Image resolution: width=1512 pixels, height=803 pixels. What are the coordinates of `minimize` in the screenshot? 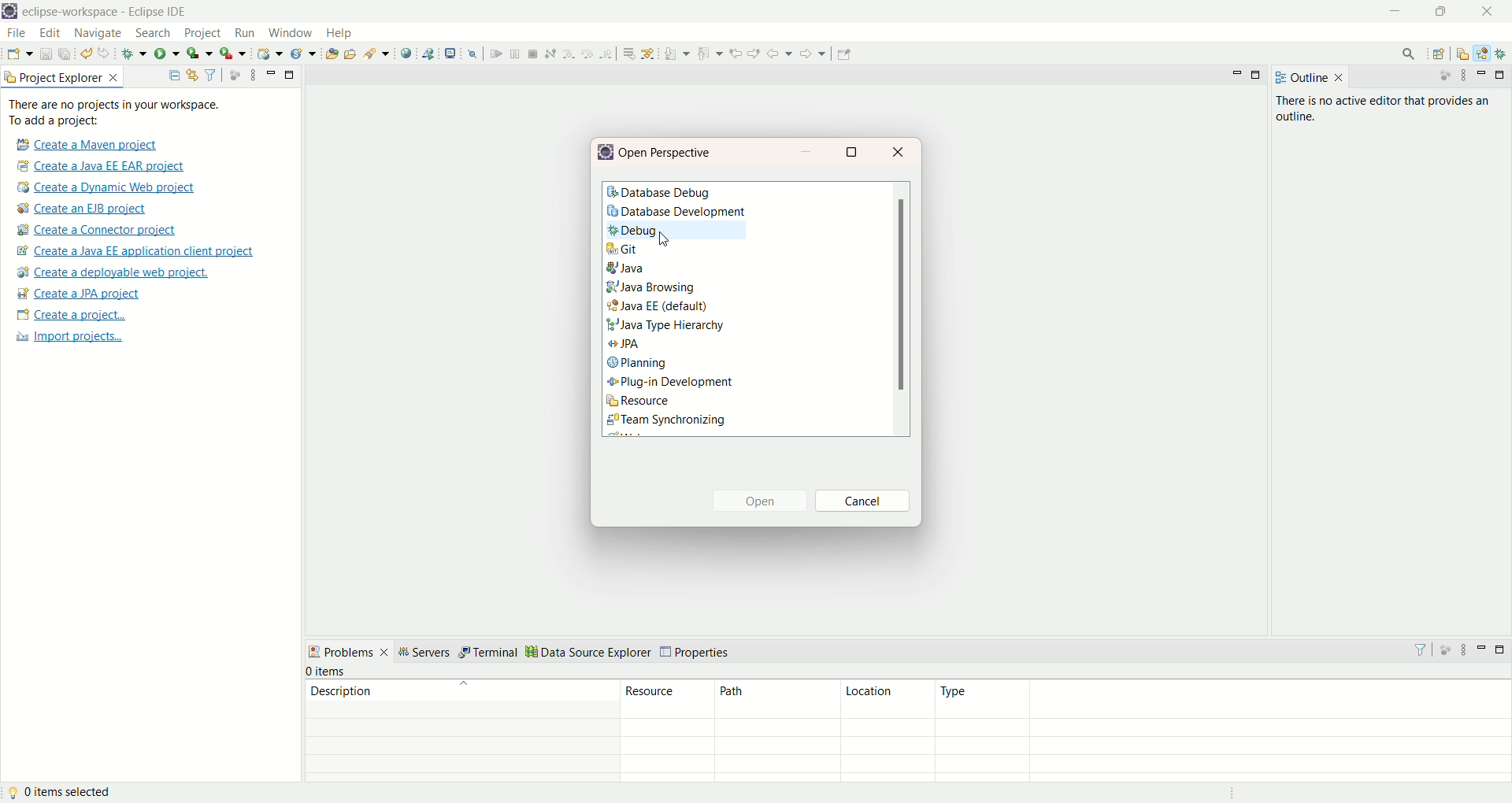 It's located at (1237, 73).